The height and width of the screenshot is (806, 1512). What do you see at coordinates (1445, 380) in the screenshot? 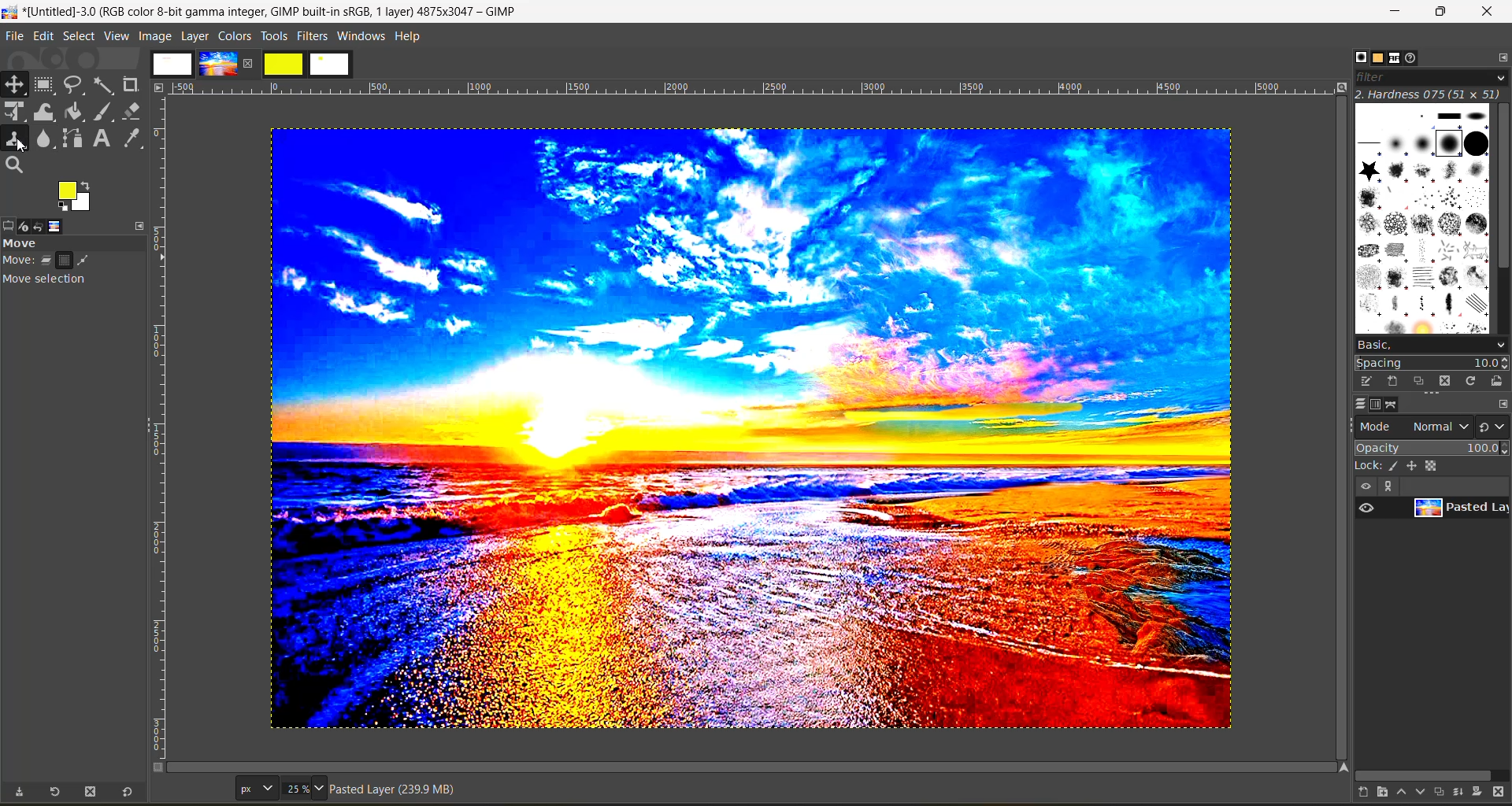
I see `delete this brush` at bounding box center [1445, 380].